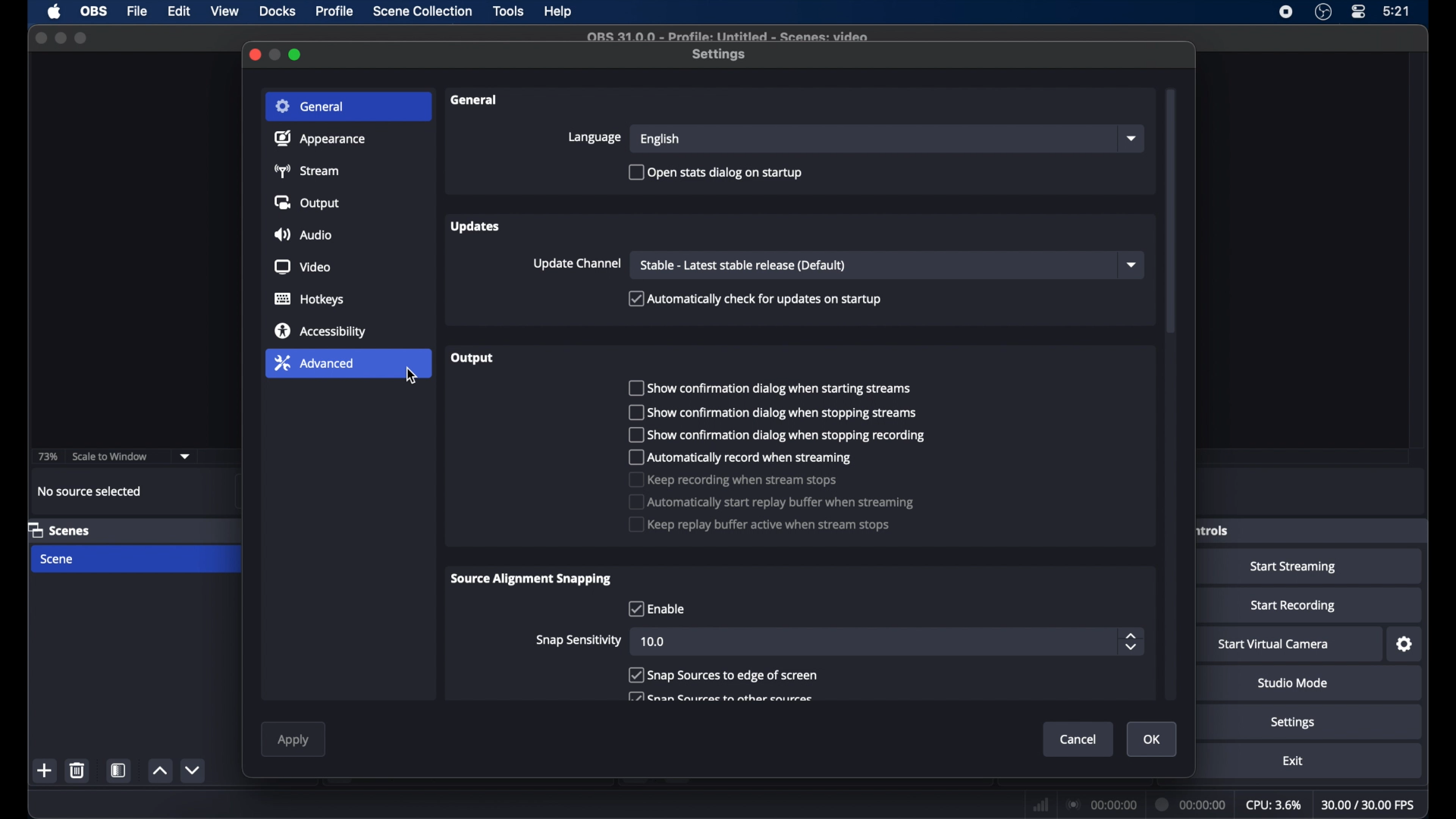  Describe the element at coordinates (61, 38) in the screenshot. I see `minimize` at that location.